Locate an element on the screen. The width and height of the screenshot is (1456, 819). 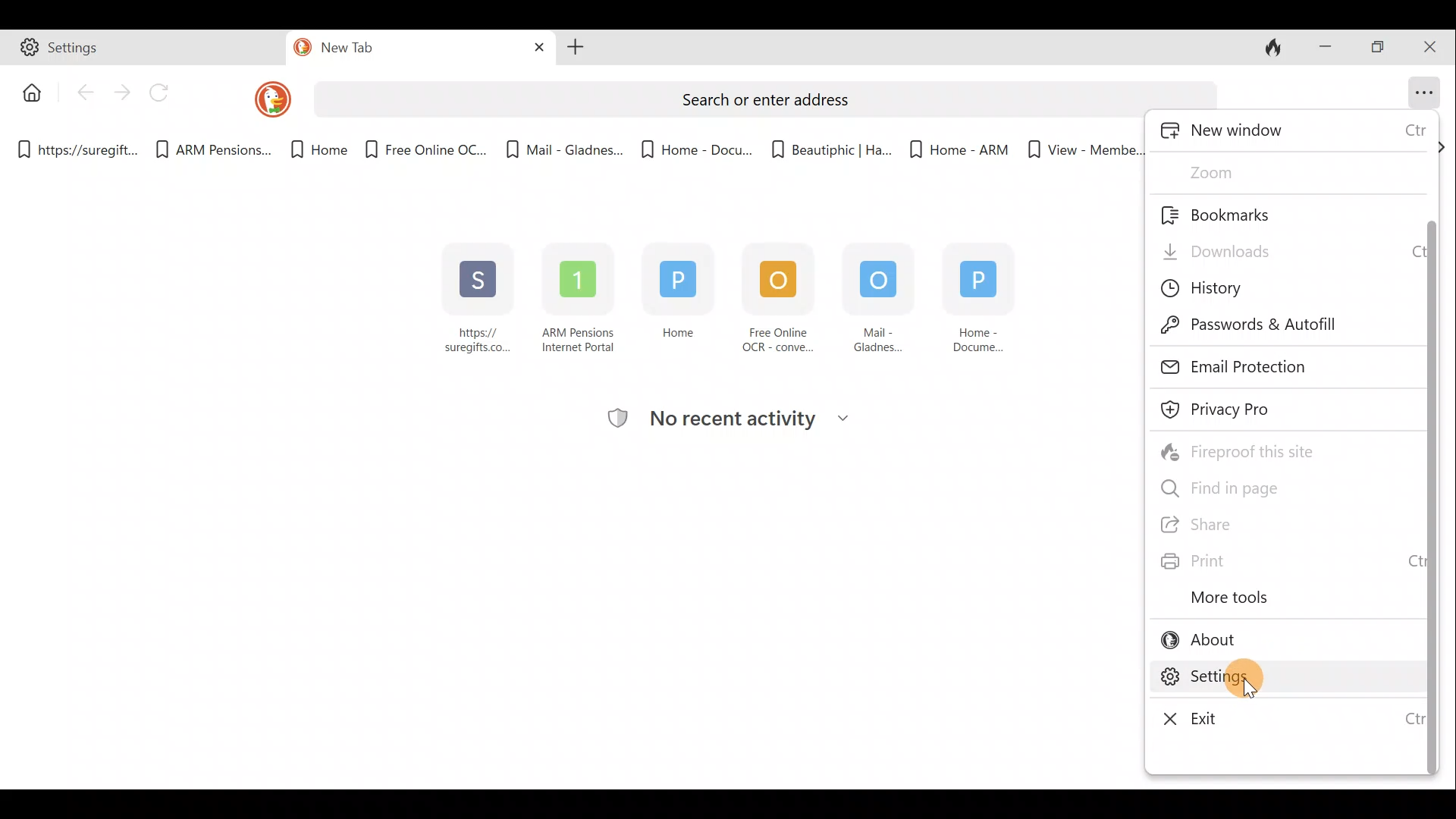
Bookmark 5 is located at coordinates (563, 148).